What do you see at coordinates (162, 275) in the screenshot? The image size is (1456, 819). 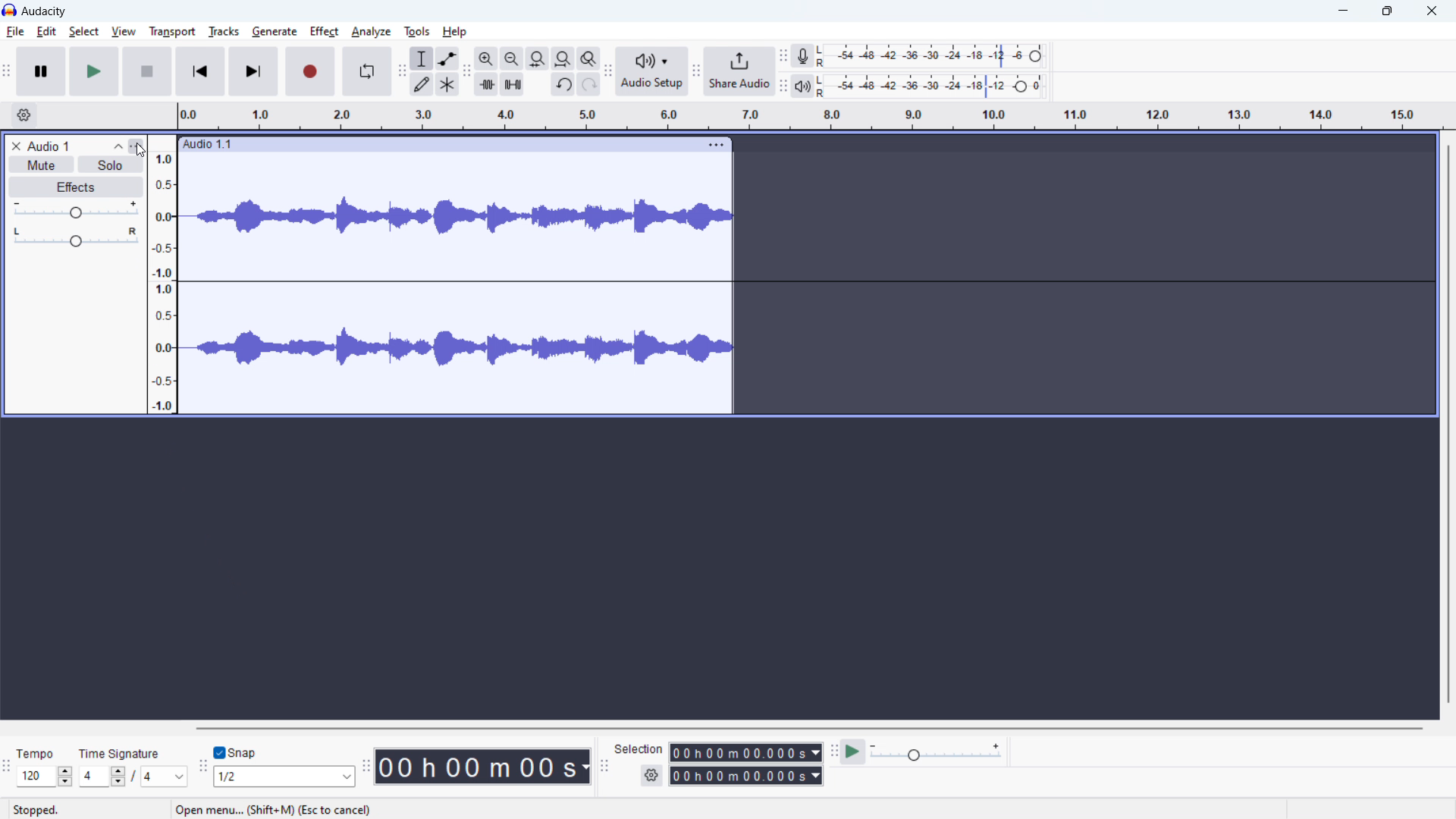 I see `amplitude` at bounding box center [162, 275].